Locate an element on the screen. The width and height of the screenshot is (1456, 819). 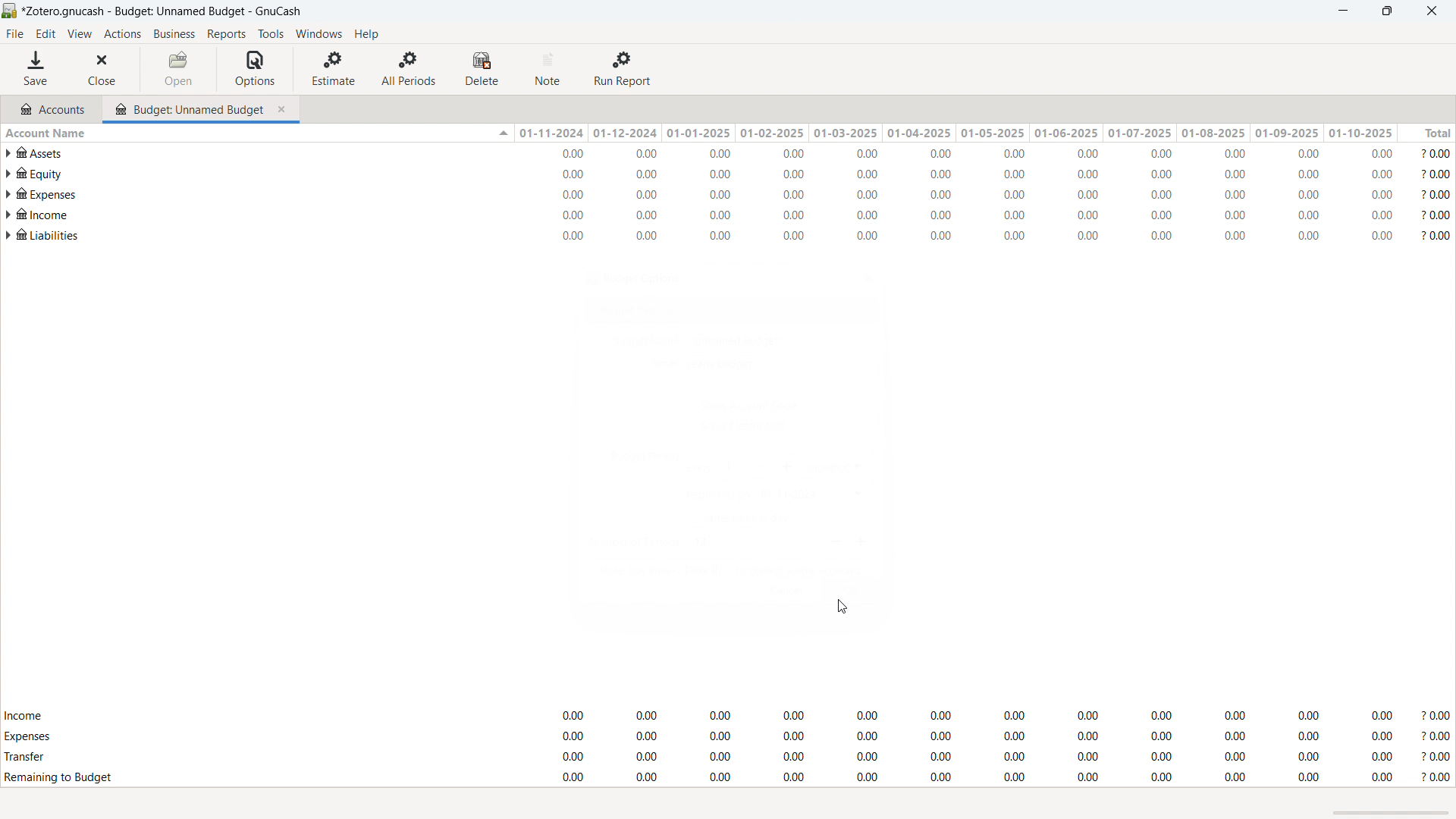
all periods is located at coordinates (409, 68).